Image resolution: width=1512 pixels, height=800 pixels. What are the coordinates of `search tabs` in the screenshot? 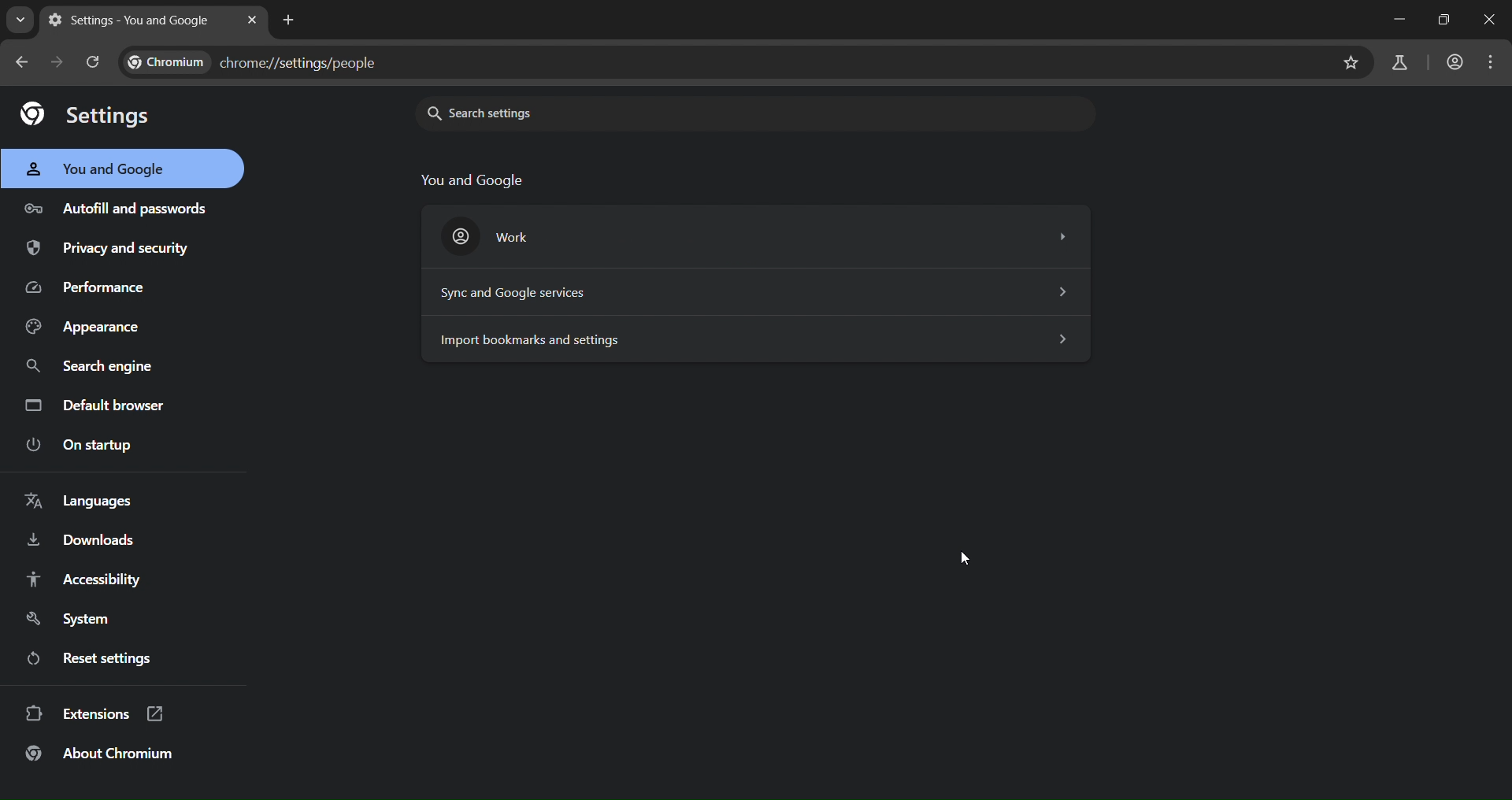 It's located at (22, 22).